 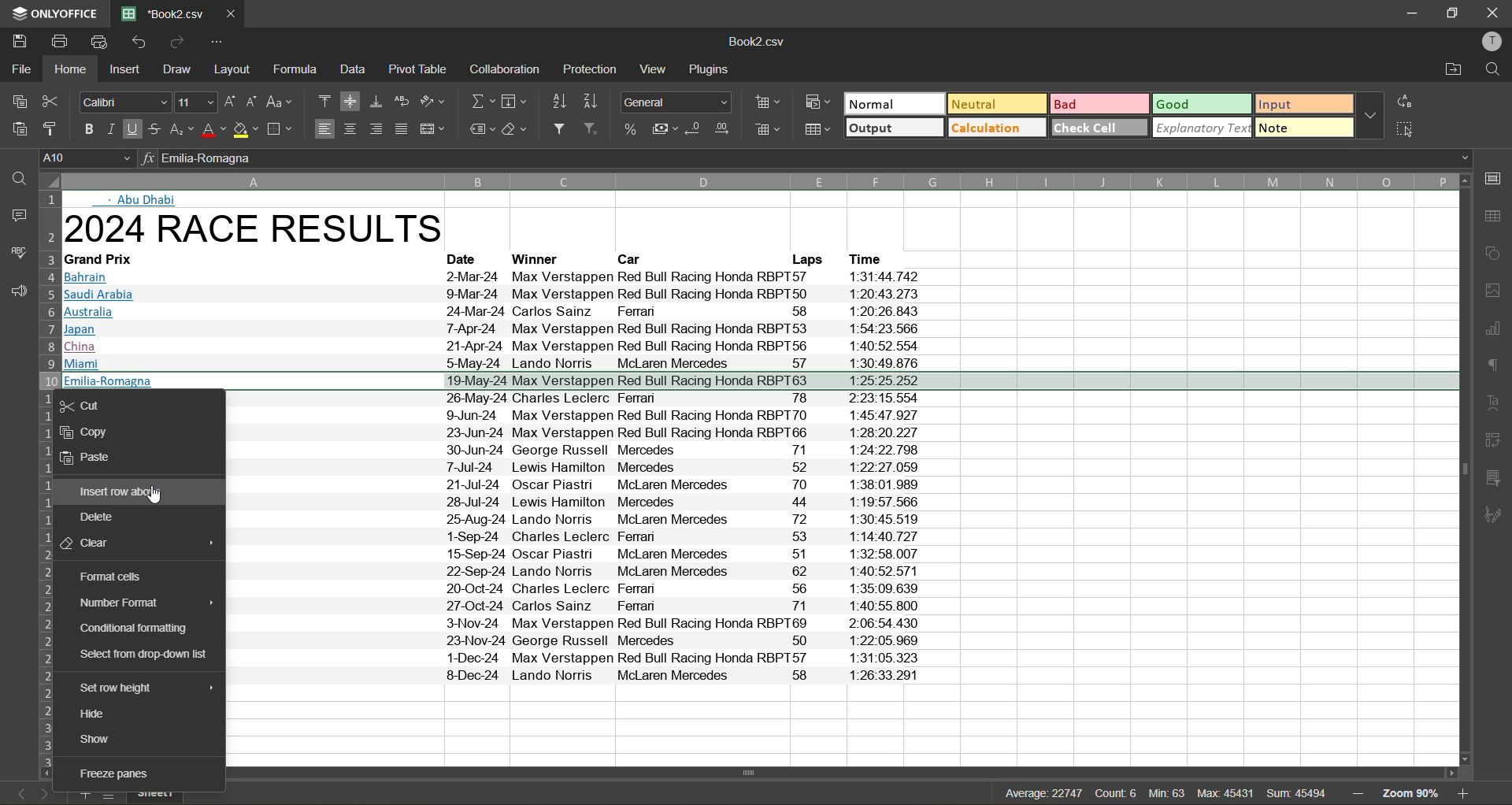 What do you see at coordinates (1406, 129) in the screenshot?
I see `select all` at bounding box center [1406, 129].